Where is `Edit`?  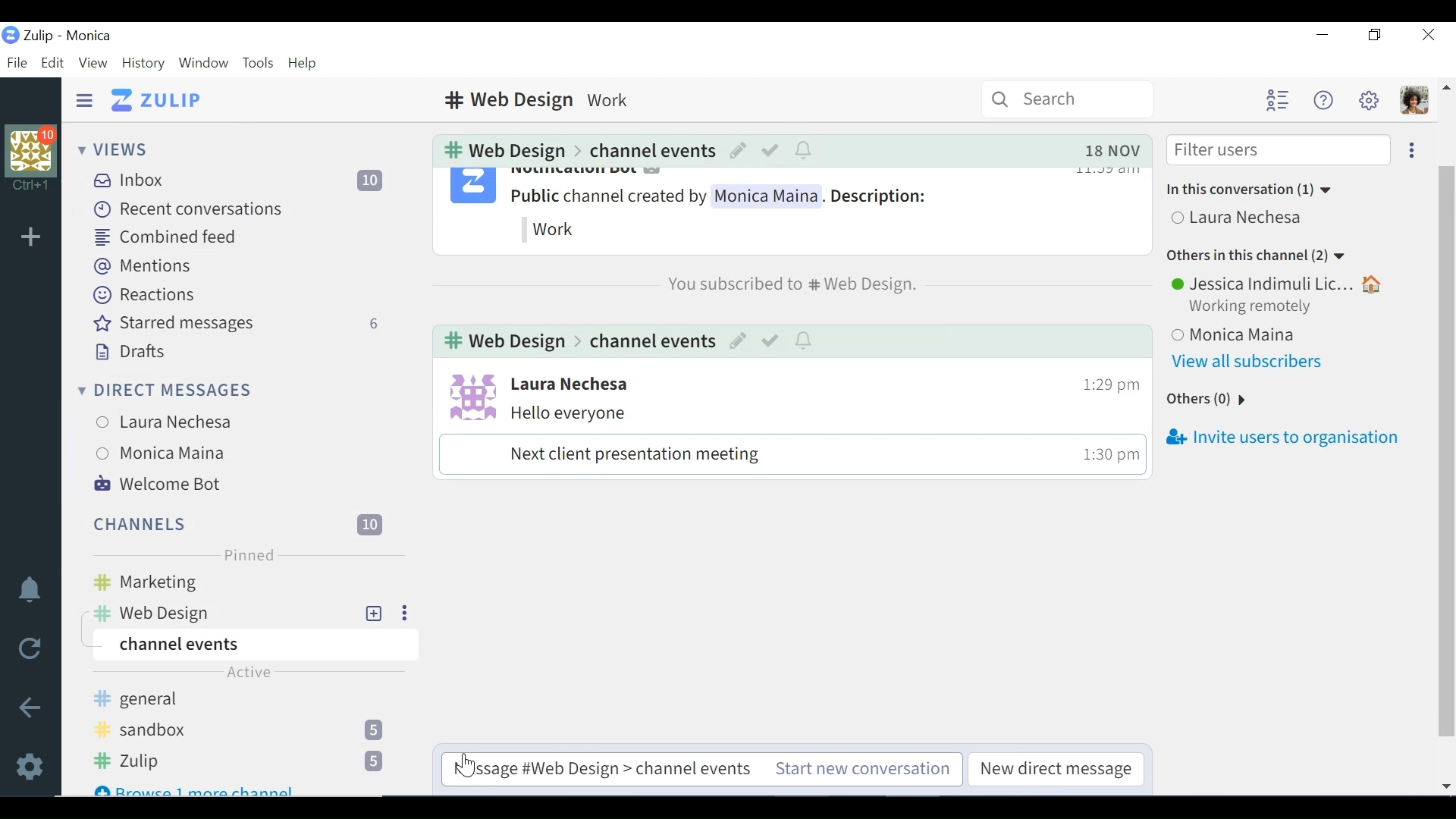
Edit is located at coordinates (52, 62).